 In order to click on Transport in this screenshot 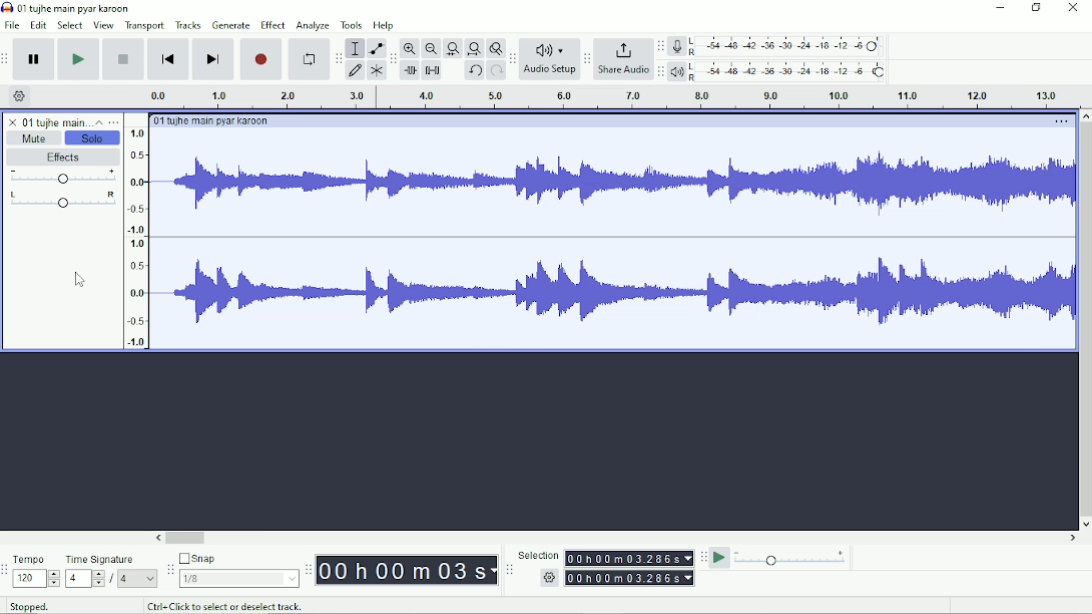, I will do `click(145, 26)`.